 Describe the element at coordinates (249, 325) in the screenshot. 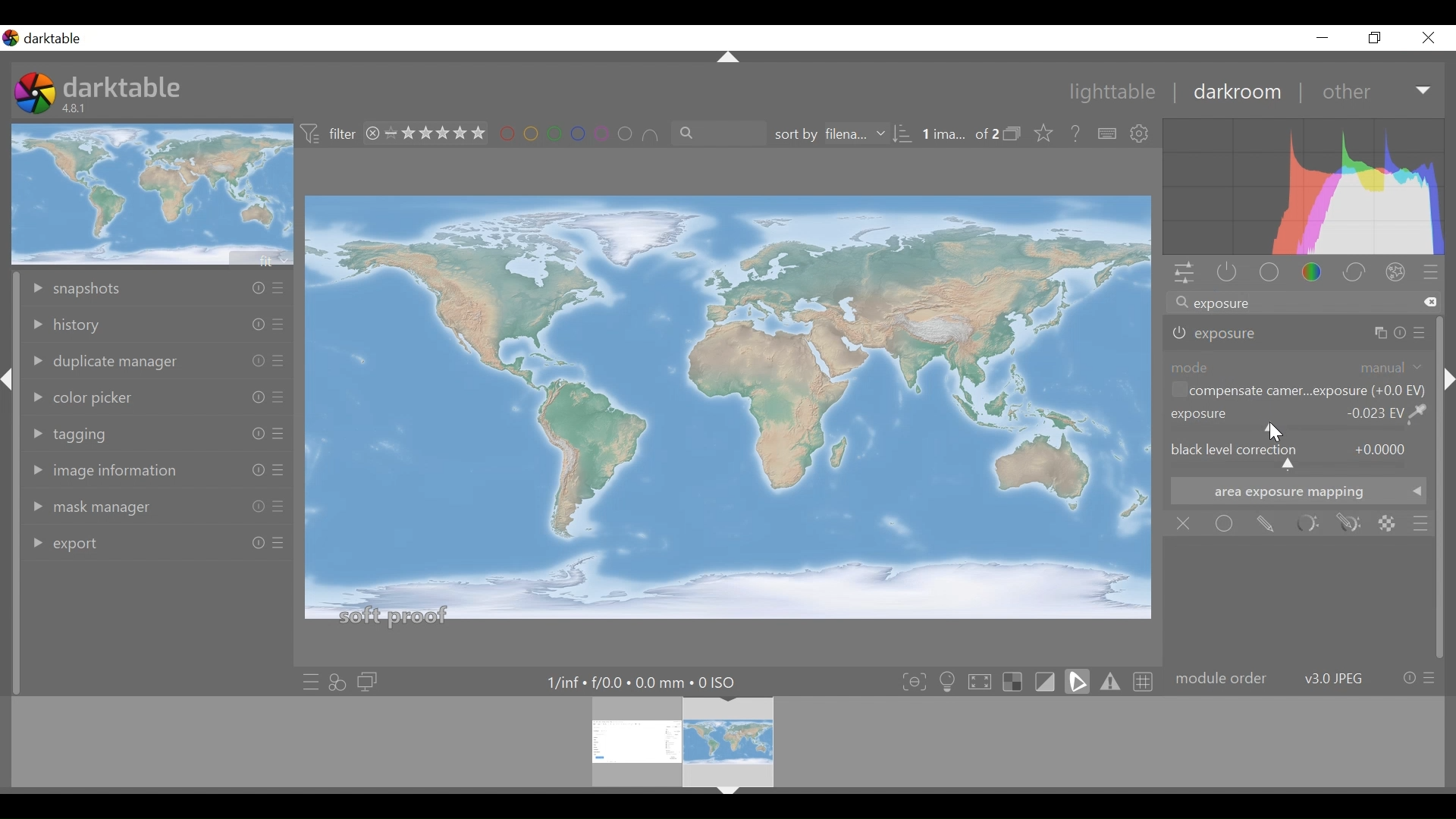

I see `` at that location.